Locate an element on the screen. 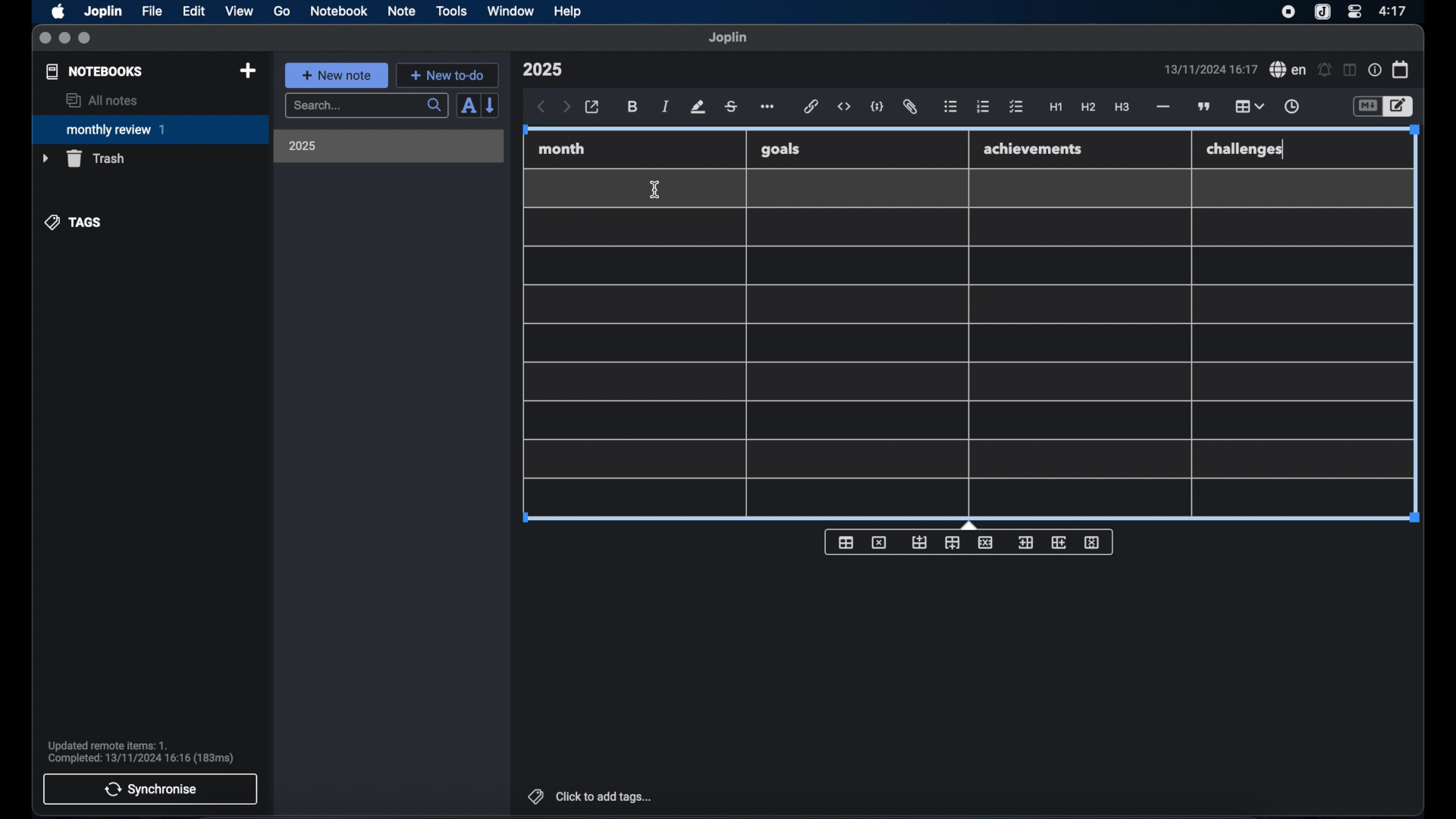  help is located at coordinates (569, 11).